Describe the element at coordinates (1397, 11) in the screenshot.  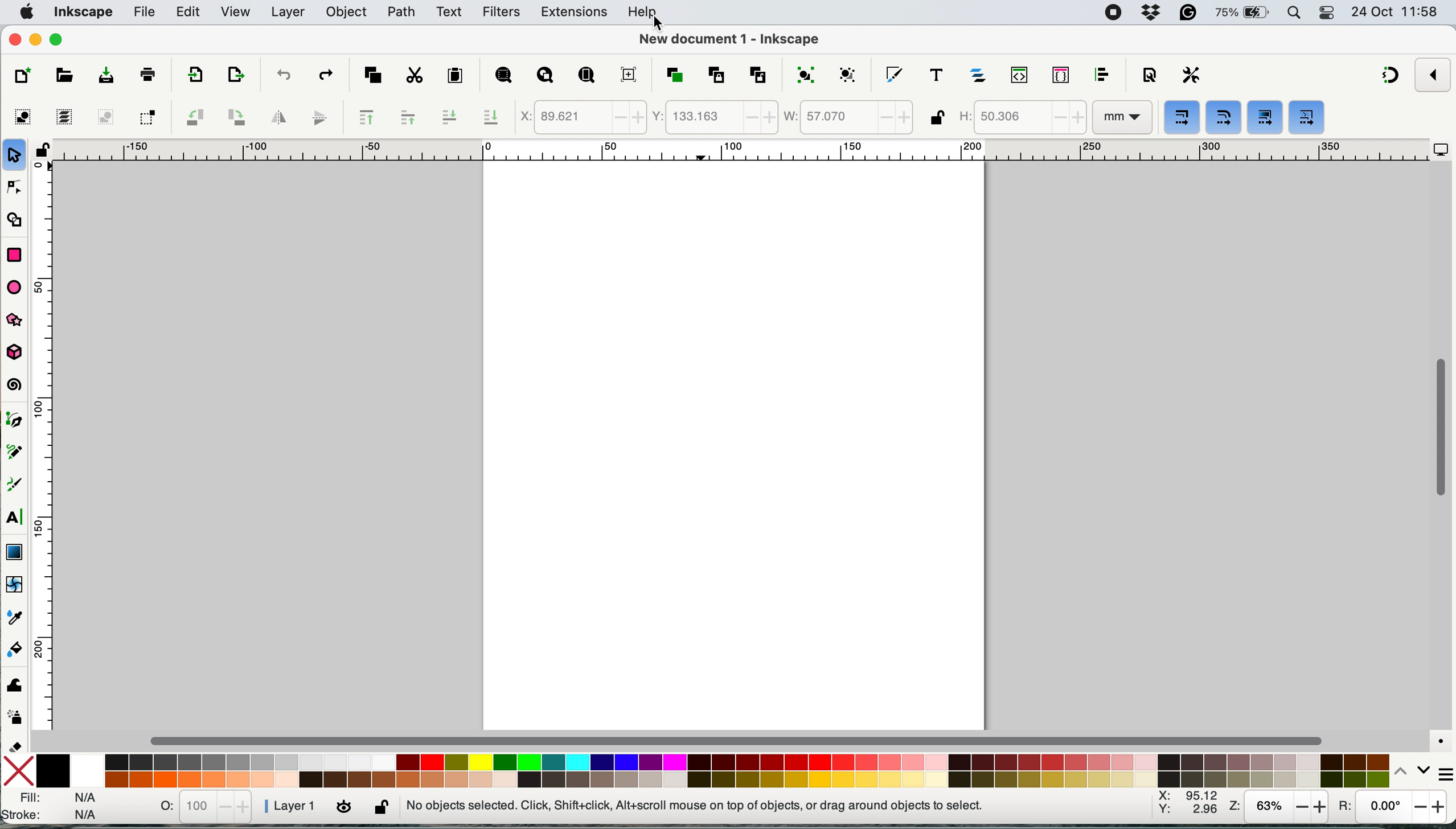
I see `date and time` at that location.